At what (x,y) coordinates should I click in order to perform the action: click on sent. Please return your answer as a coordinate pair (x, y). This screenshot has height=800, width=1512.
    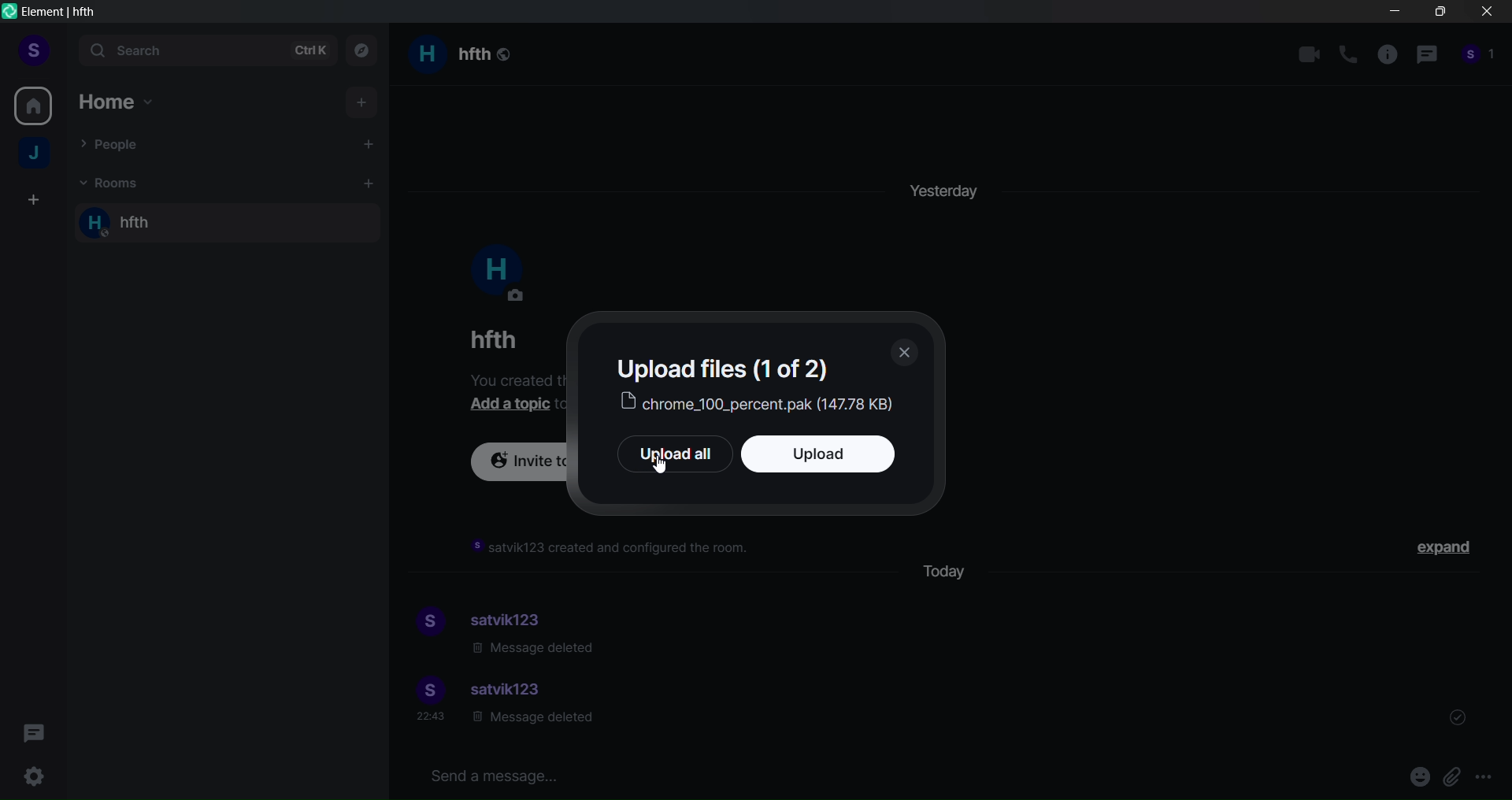
    Looking at the image, I should click on (1458, 715).